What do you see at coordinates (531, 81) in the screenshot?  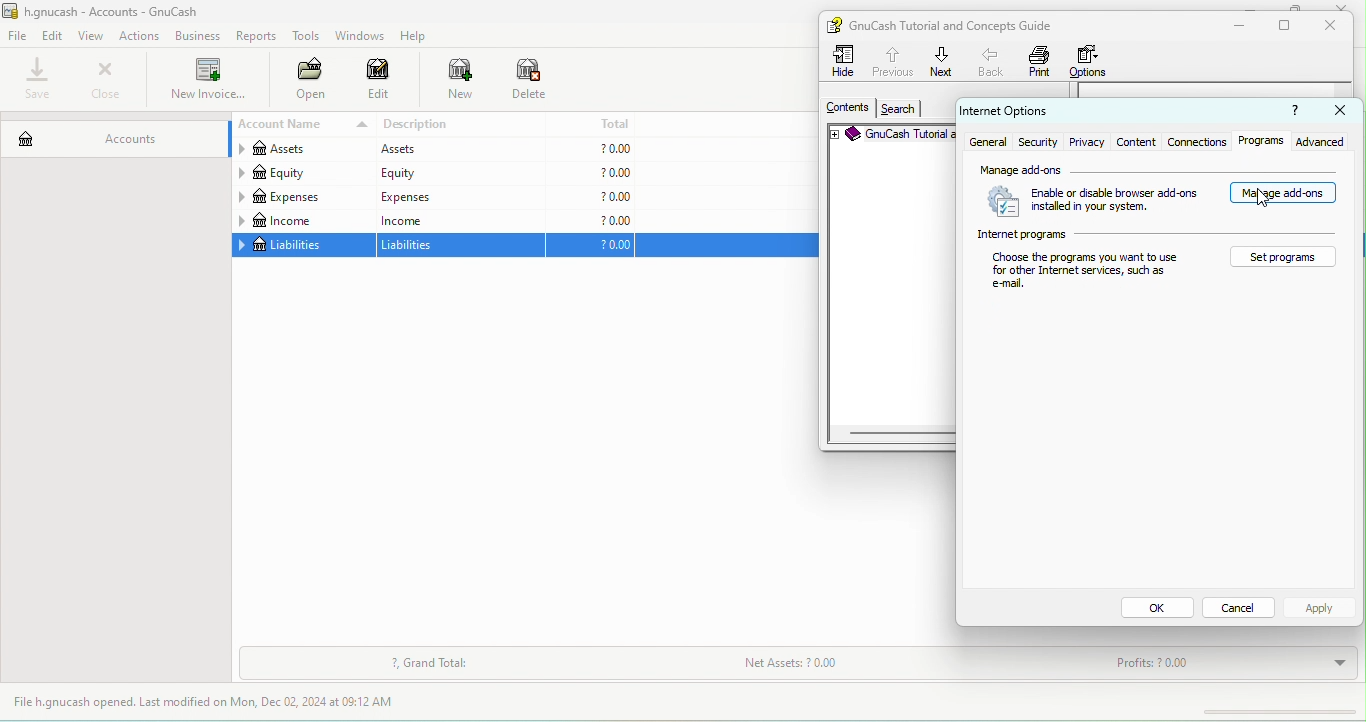 I see `delete` at bounding box center [531, 81].